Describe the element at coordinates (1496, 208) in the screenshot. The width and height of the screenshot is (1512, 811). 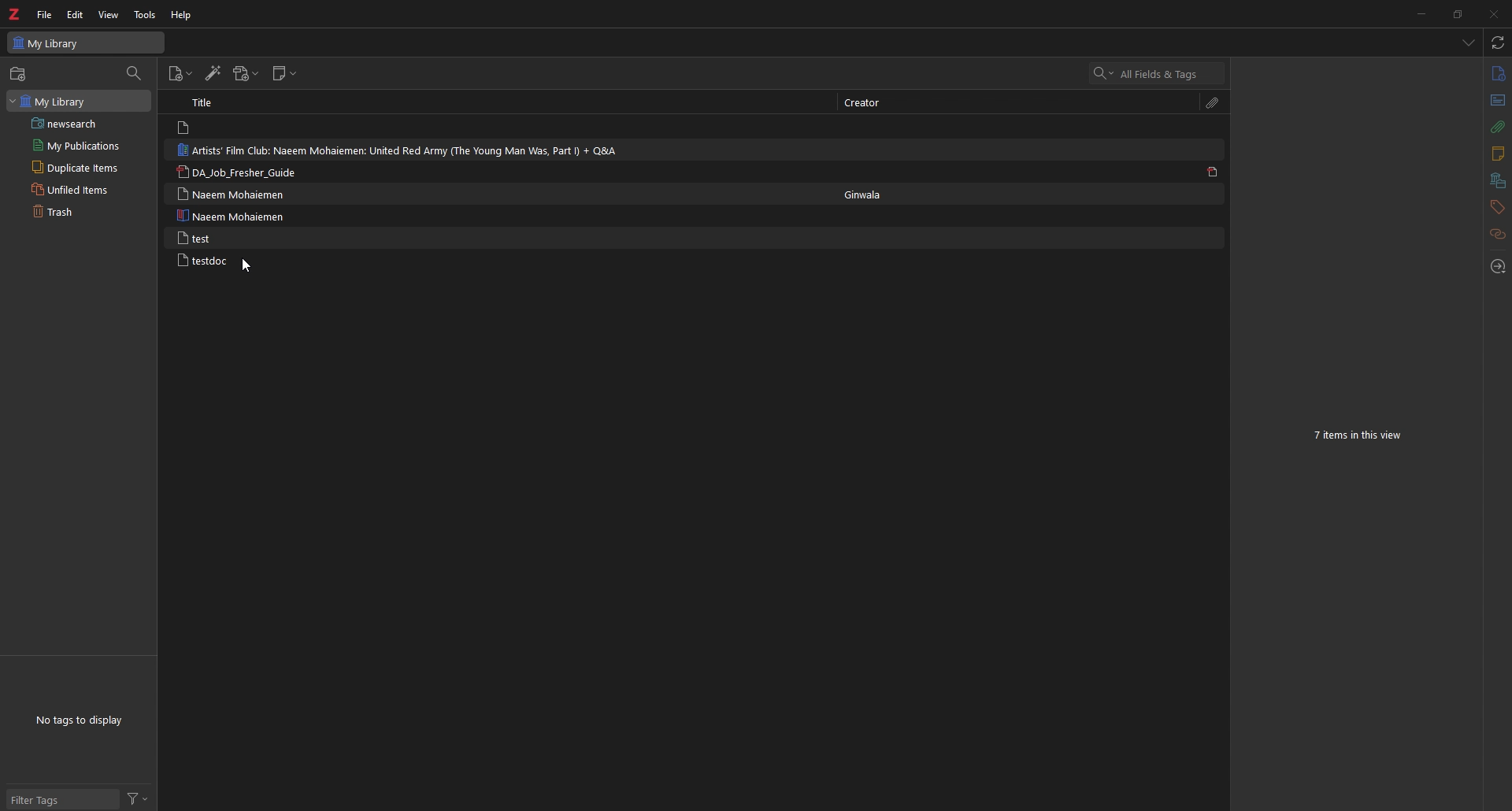
I see `tags` at that location.